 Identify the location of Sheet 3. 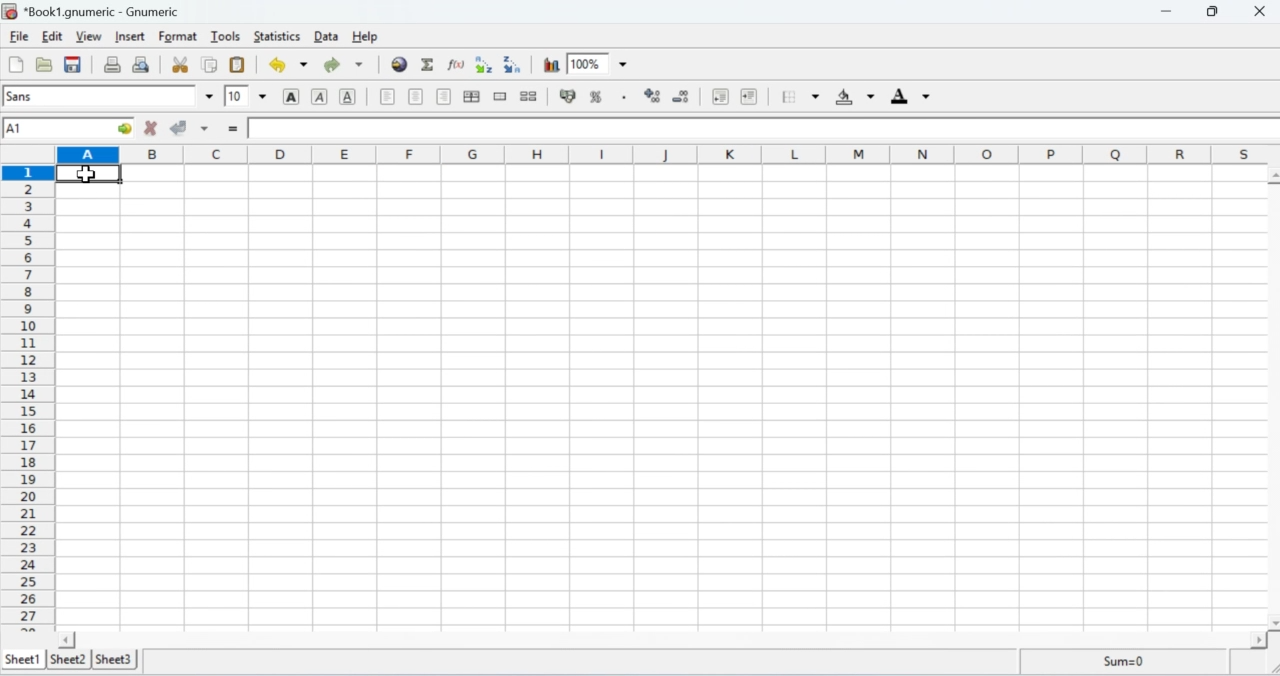
(114, 659).